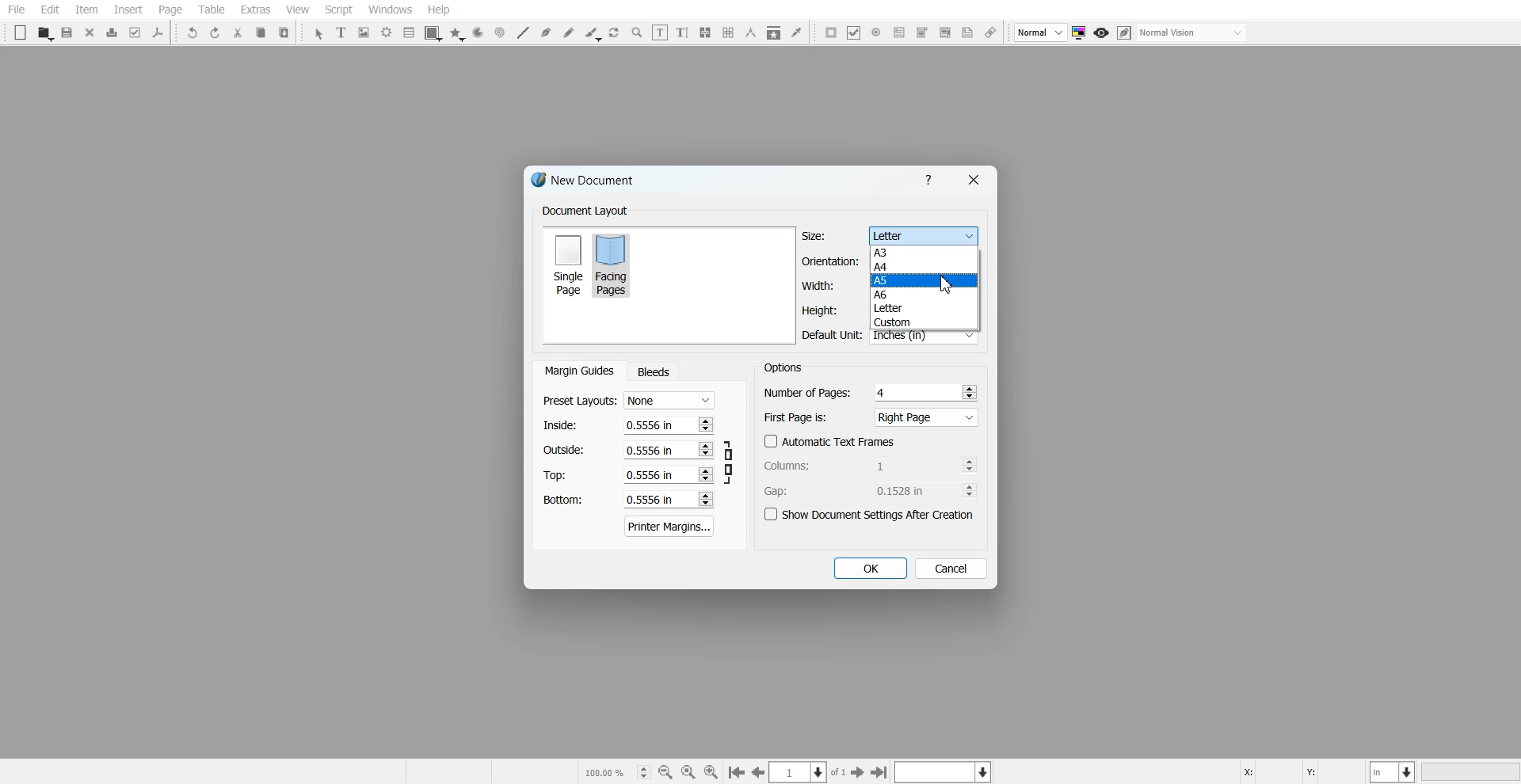 The image size is (1521, 784). Describe the element at coordinates (921, 32) in the screenshot. I see `PDF Combo Box` at that location.